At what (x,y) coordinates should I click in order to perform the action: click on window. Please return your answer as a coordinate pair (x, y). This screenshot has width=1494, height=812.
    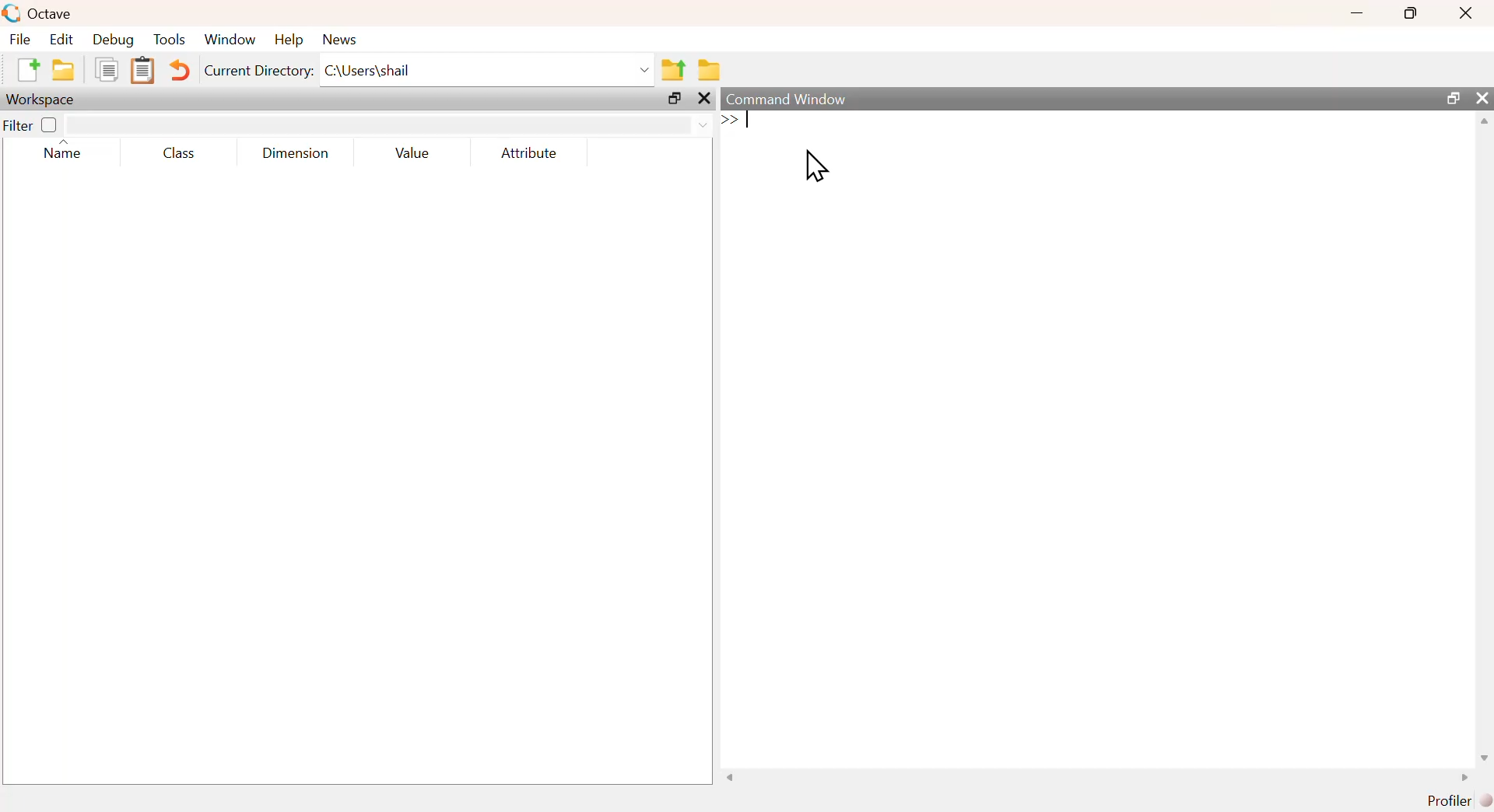
    Looking at the image, I should click on (231, 40).